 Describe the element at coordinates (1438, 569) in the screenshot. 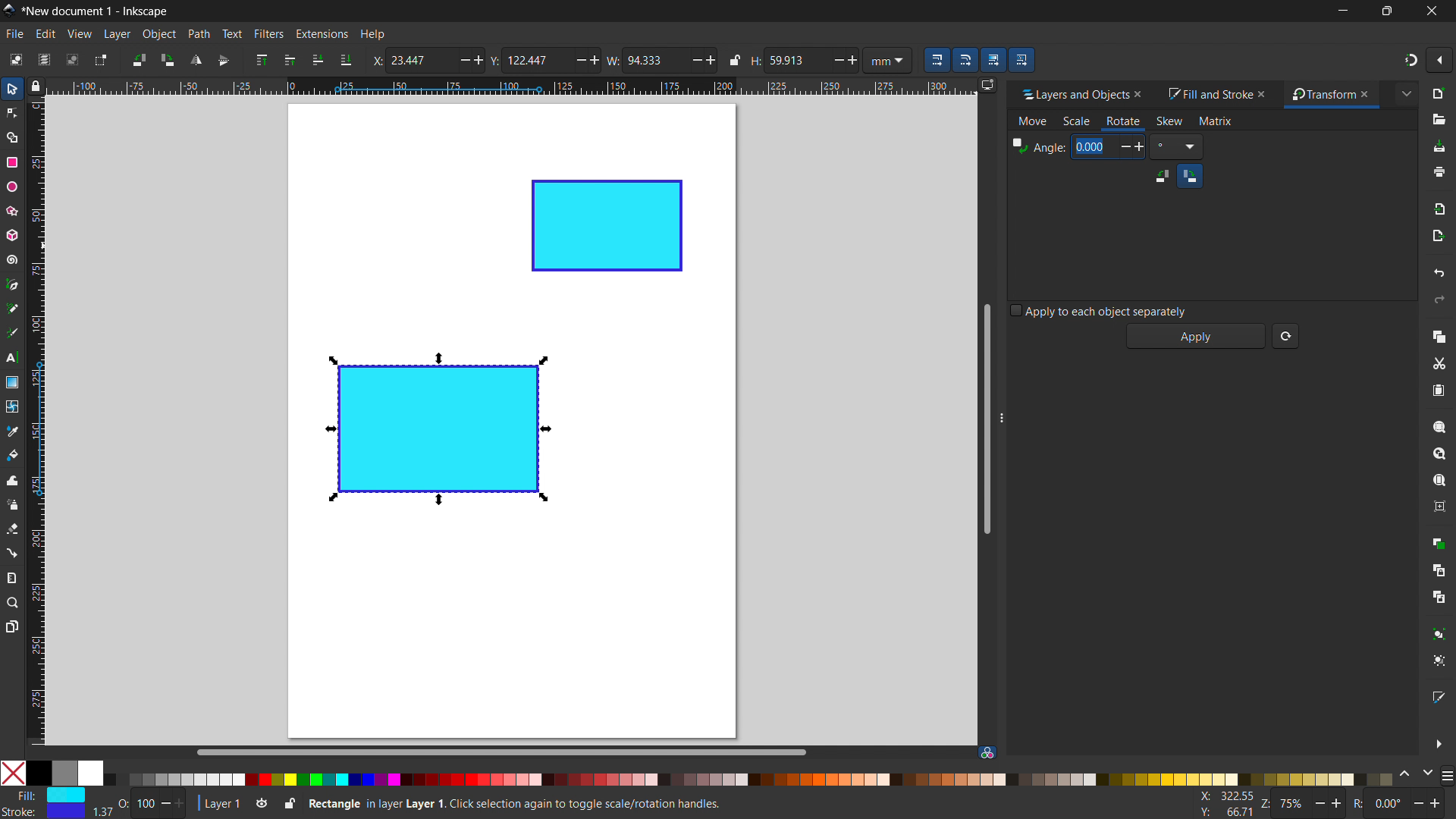

I see `create clone` at that location.